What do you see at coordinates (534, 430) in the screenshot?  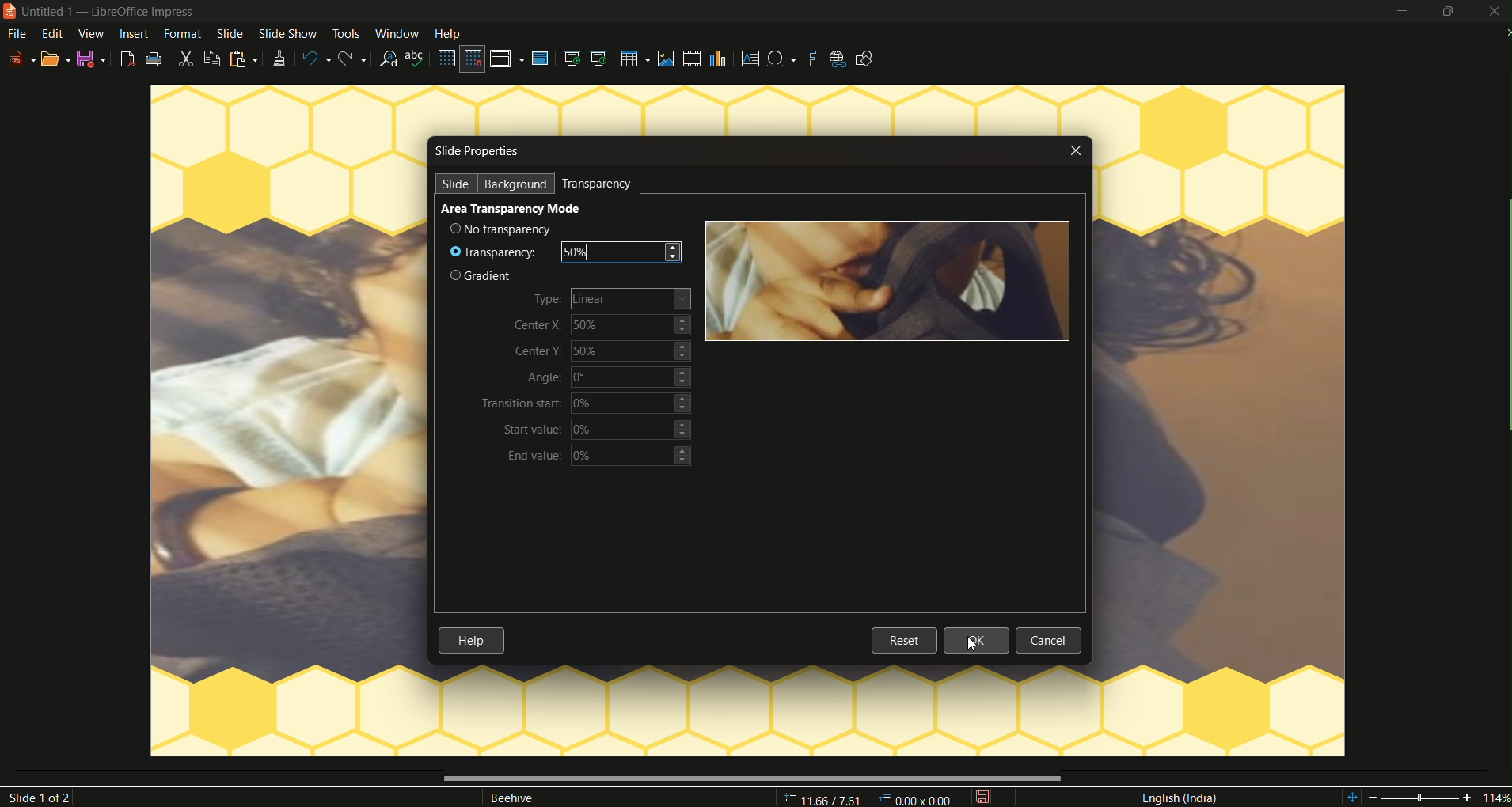 I see `start value` at bounding box center [534, 430].